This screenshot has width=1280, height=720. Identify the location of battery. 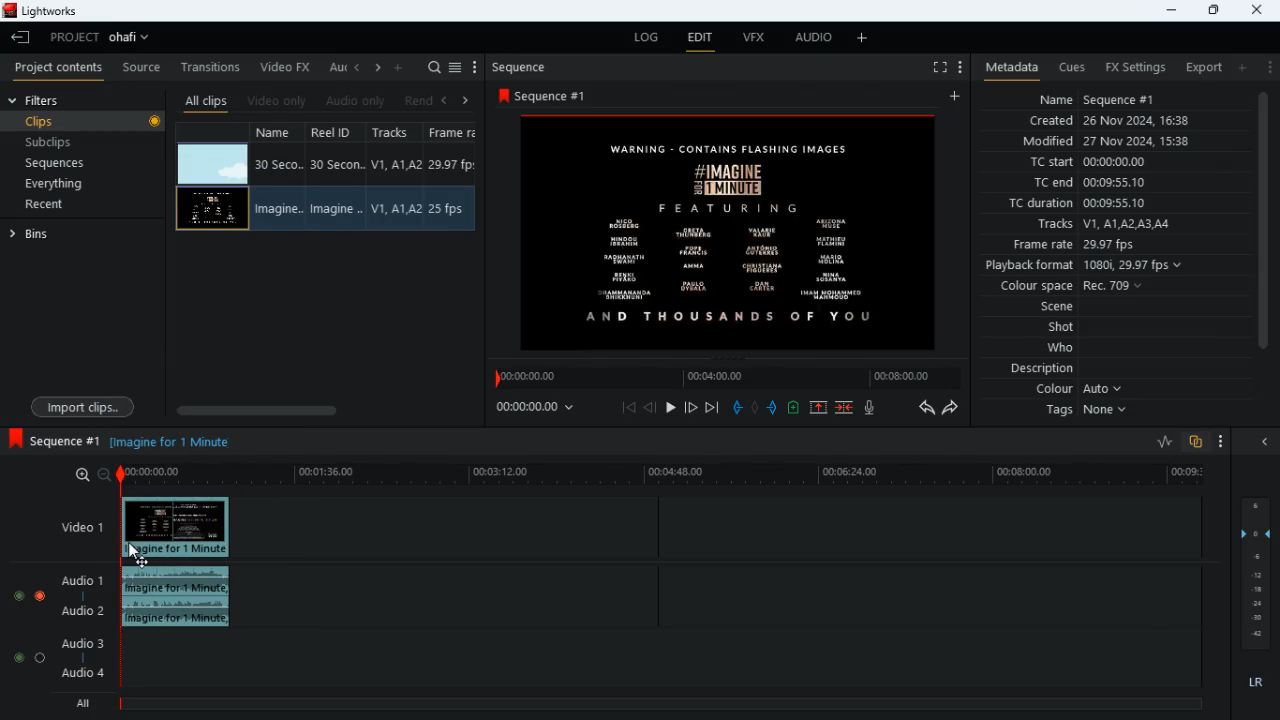
(795, 409).